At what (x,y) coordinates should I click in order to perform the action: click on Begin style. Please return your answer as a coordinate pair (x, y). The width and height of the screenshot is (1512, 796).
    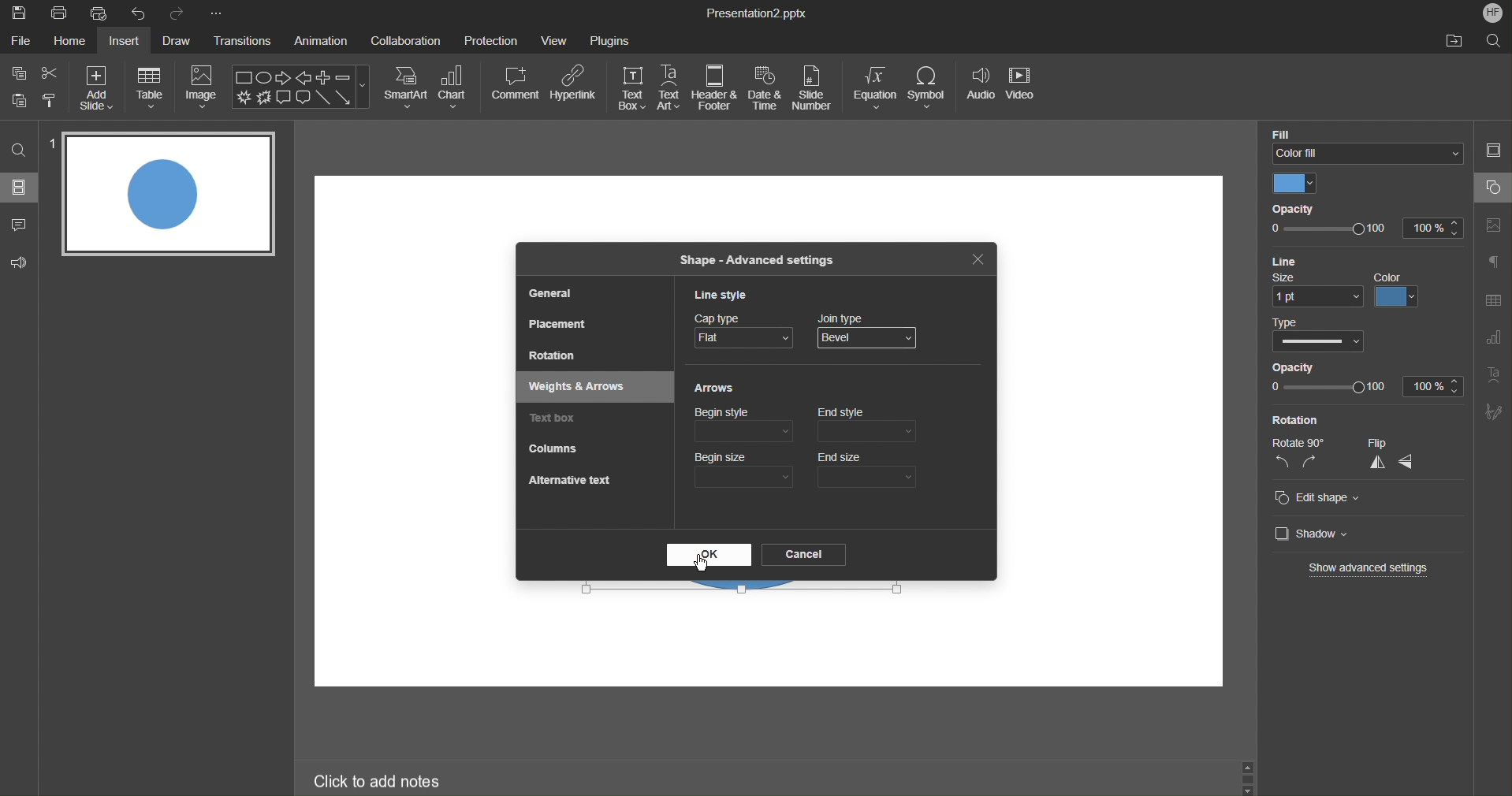
    Looking at the image, I should click on (742, 424).